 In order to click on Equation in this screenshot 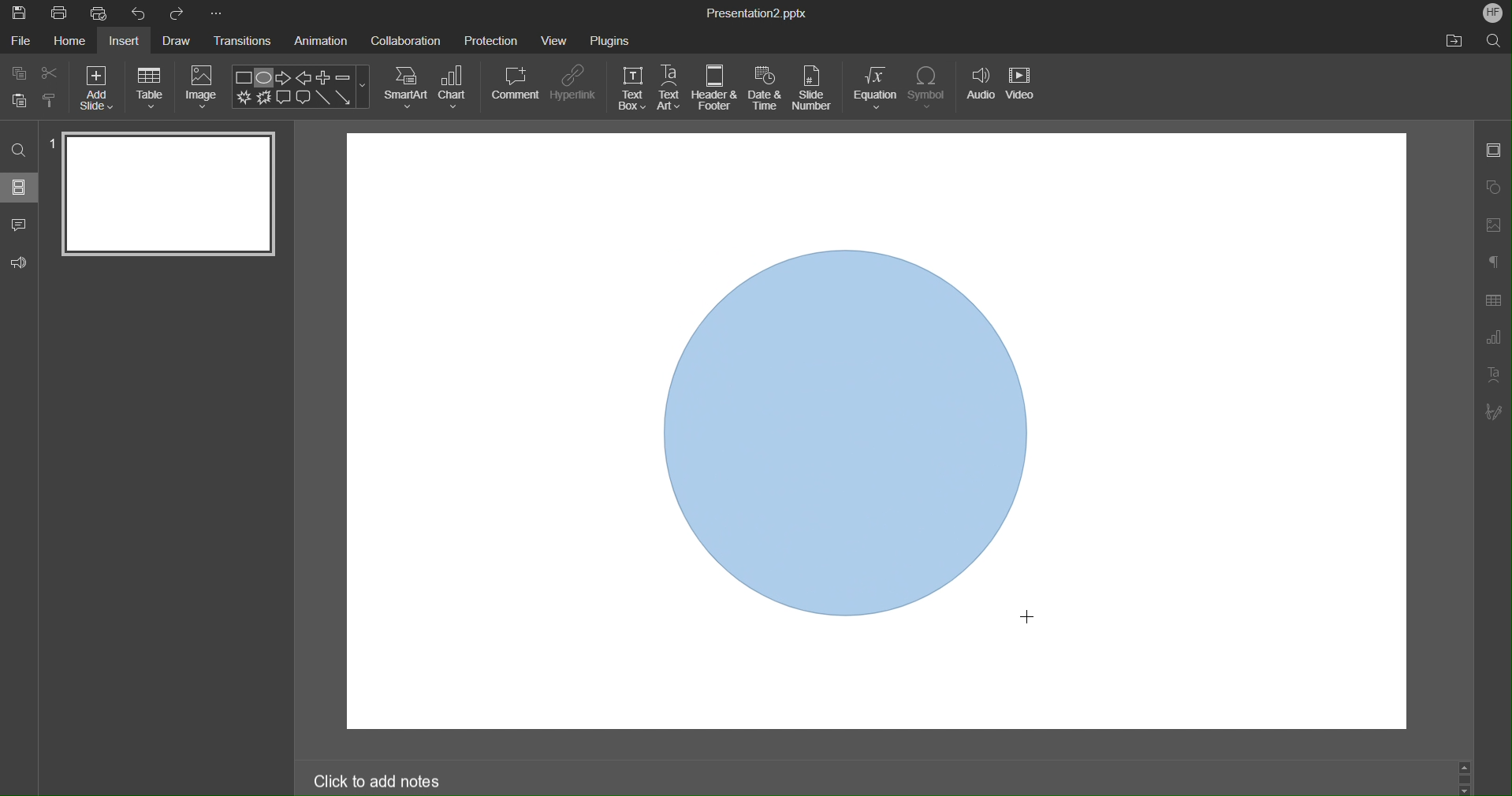, I will do `click(875, 88)`.